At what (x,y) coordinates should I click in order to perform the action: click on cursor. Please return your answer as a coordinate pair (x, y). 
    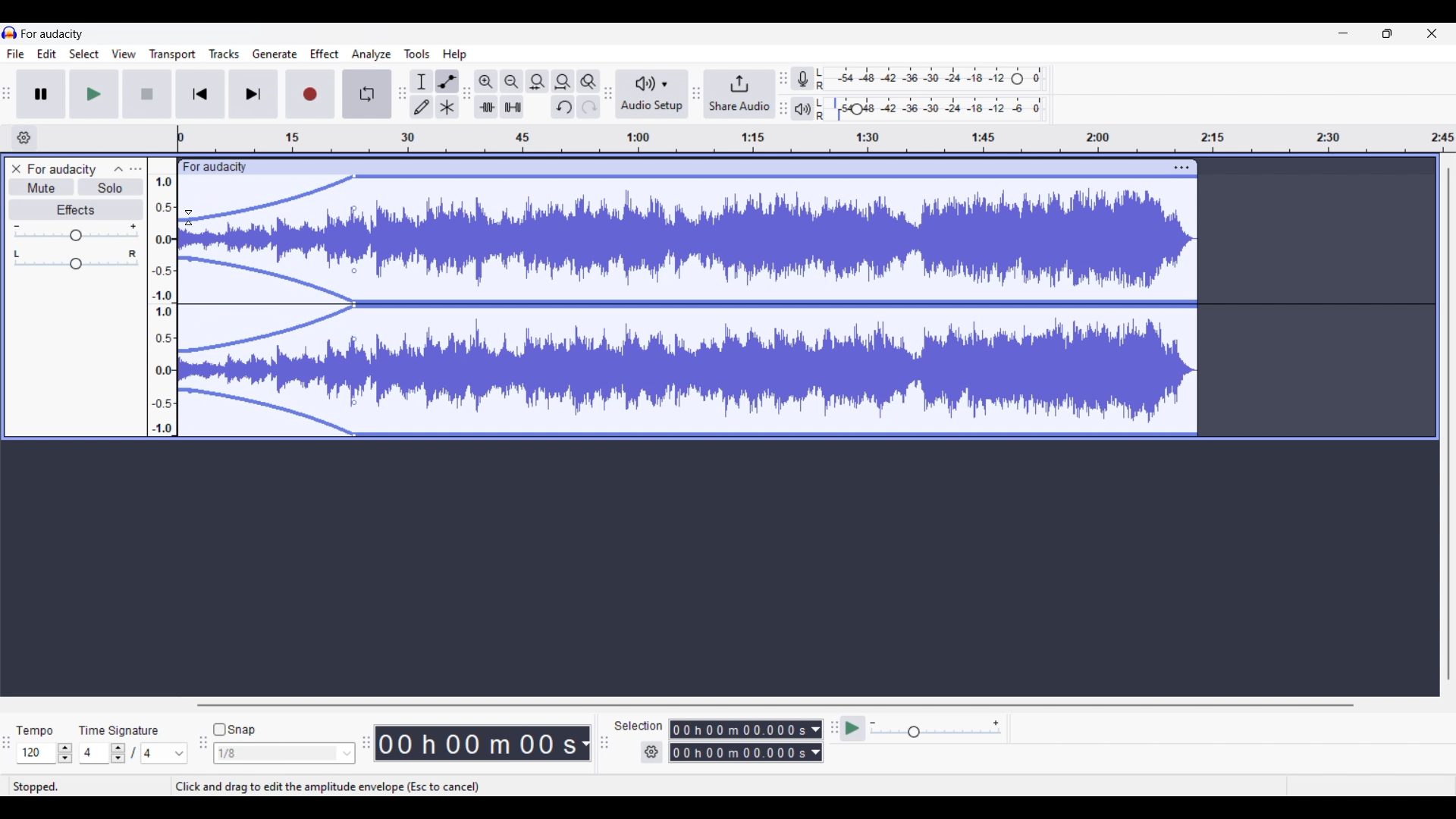
    Looking at the image, I should click on (190, 217).